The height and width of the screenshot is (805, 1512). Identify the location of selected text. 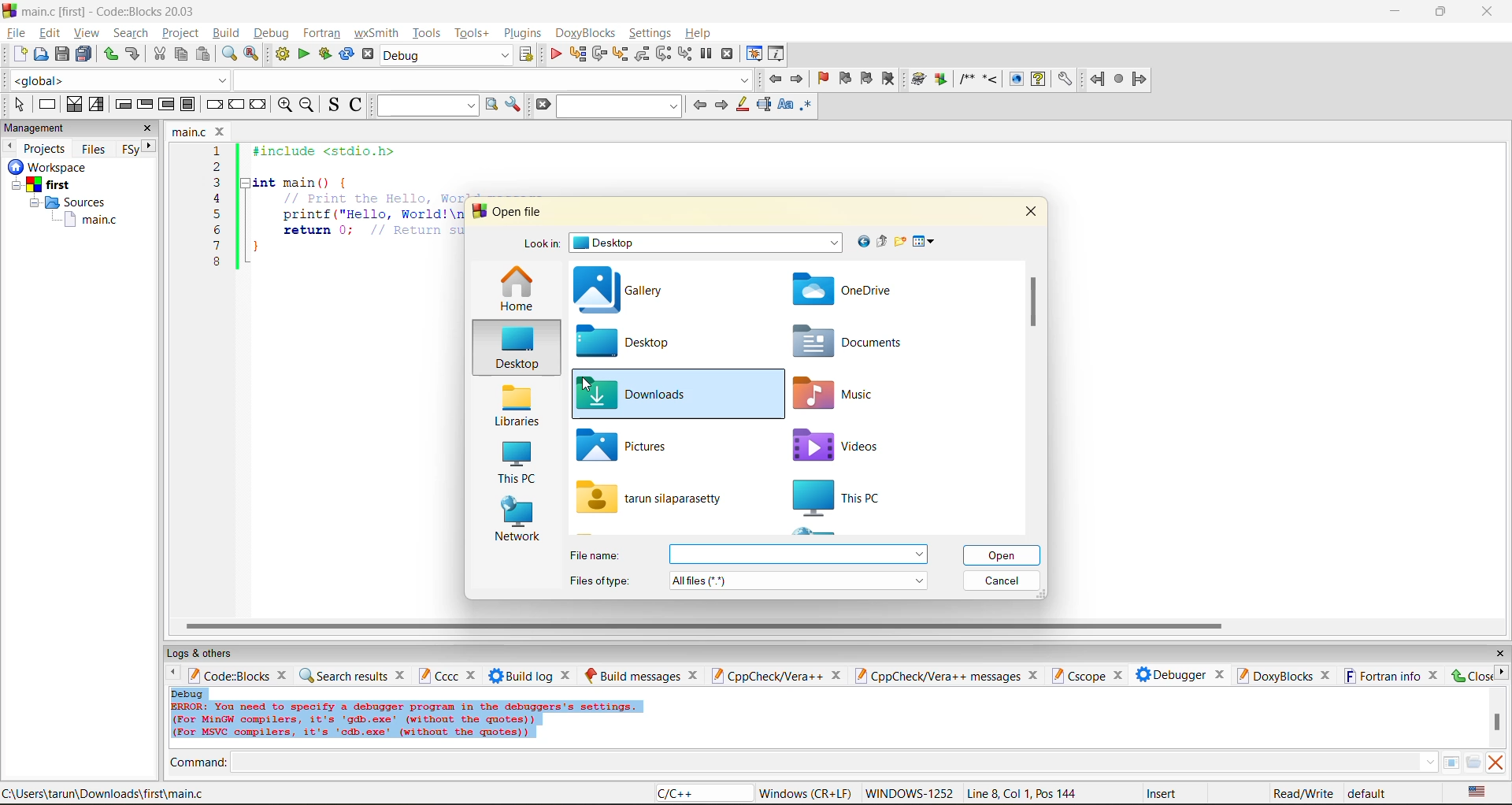
(764, 105).